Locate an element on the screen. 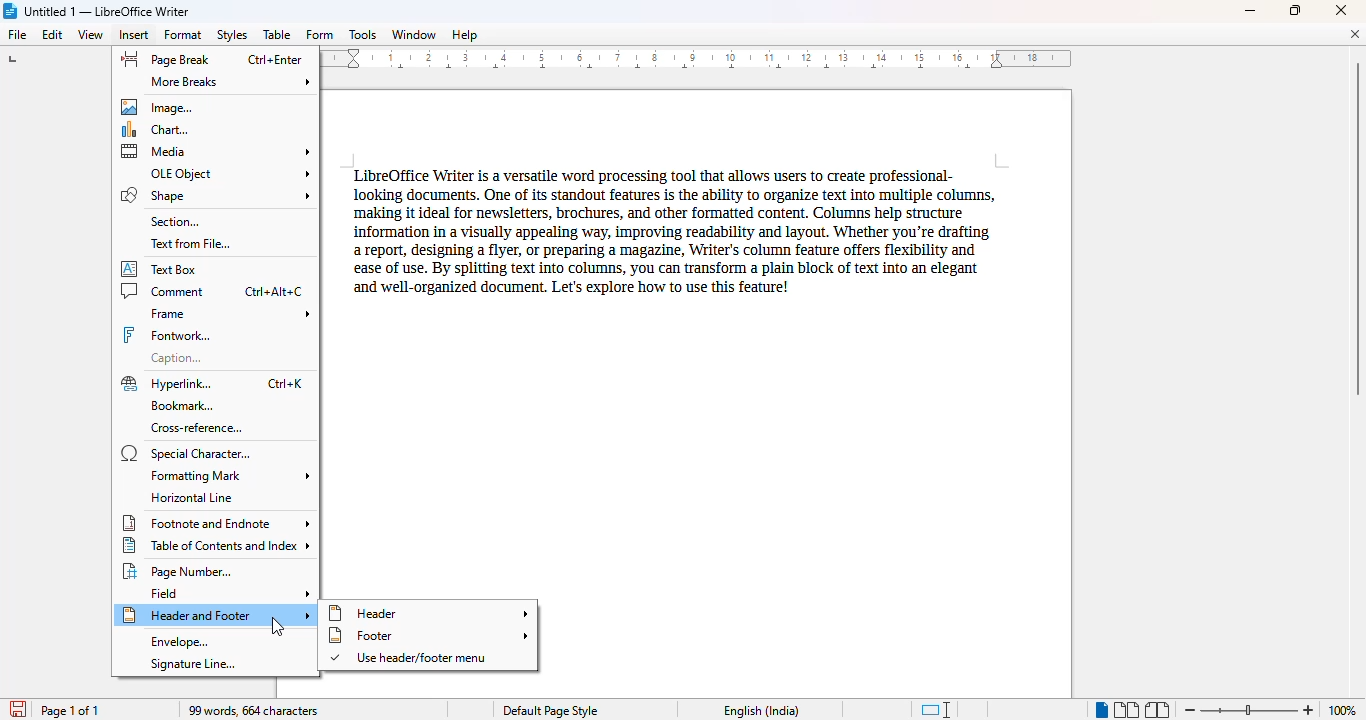 This screenshot has width=1366, height=720. frame is located at coordinates (229, 314).